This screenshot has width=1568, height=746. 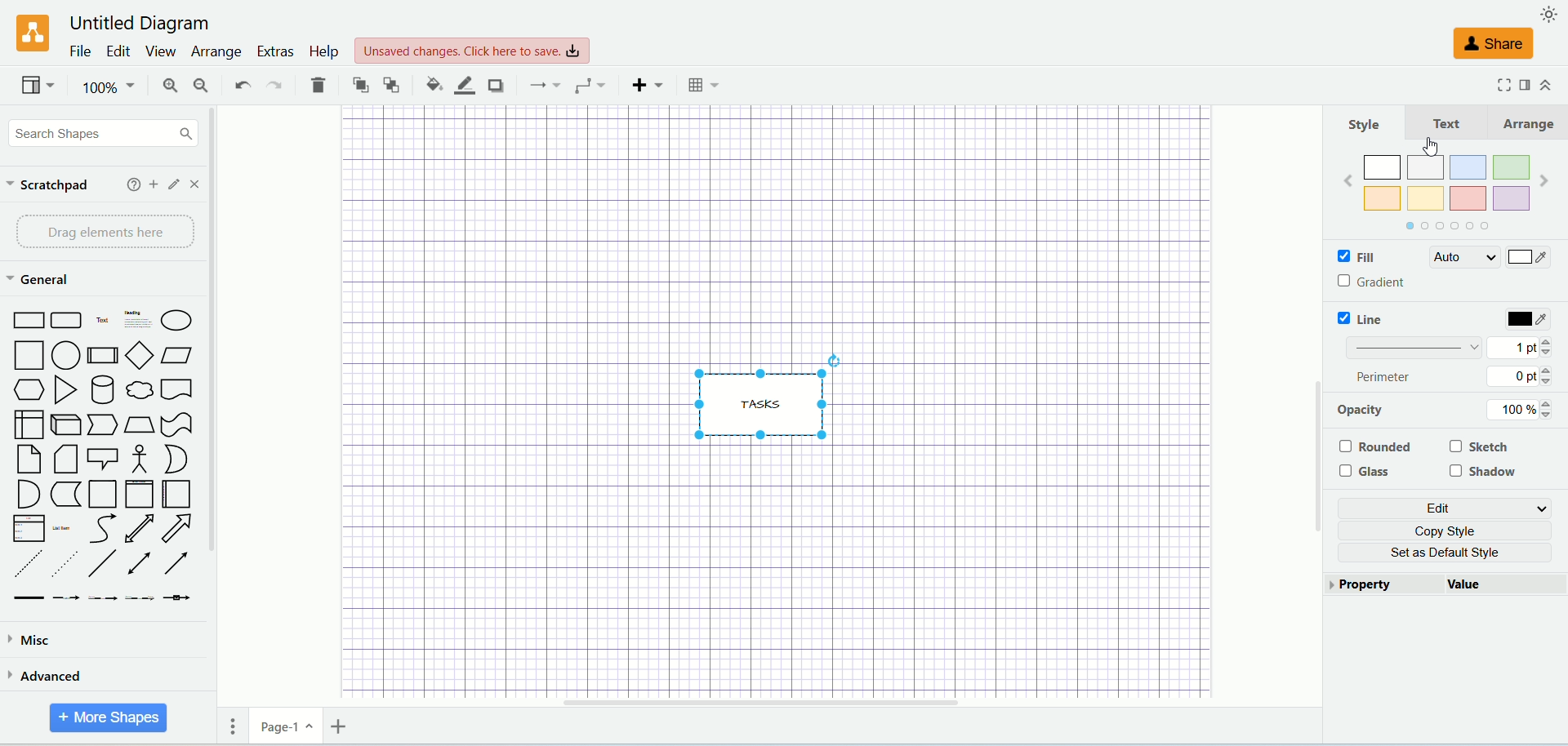 I want to click on Data Storage, so click(x=65, y=495).